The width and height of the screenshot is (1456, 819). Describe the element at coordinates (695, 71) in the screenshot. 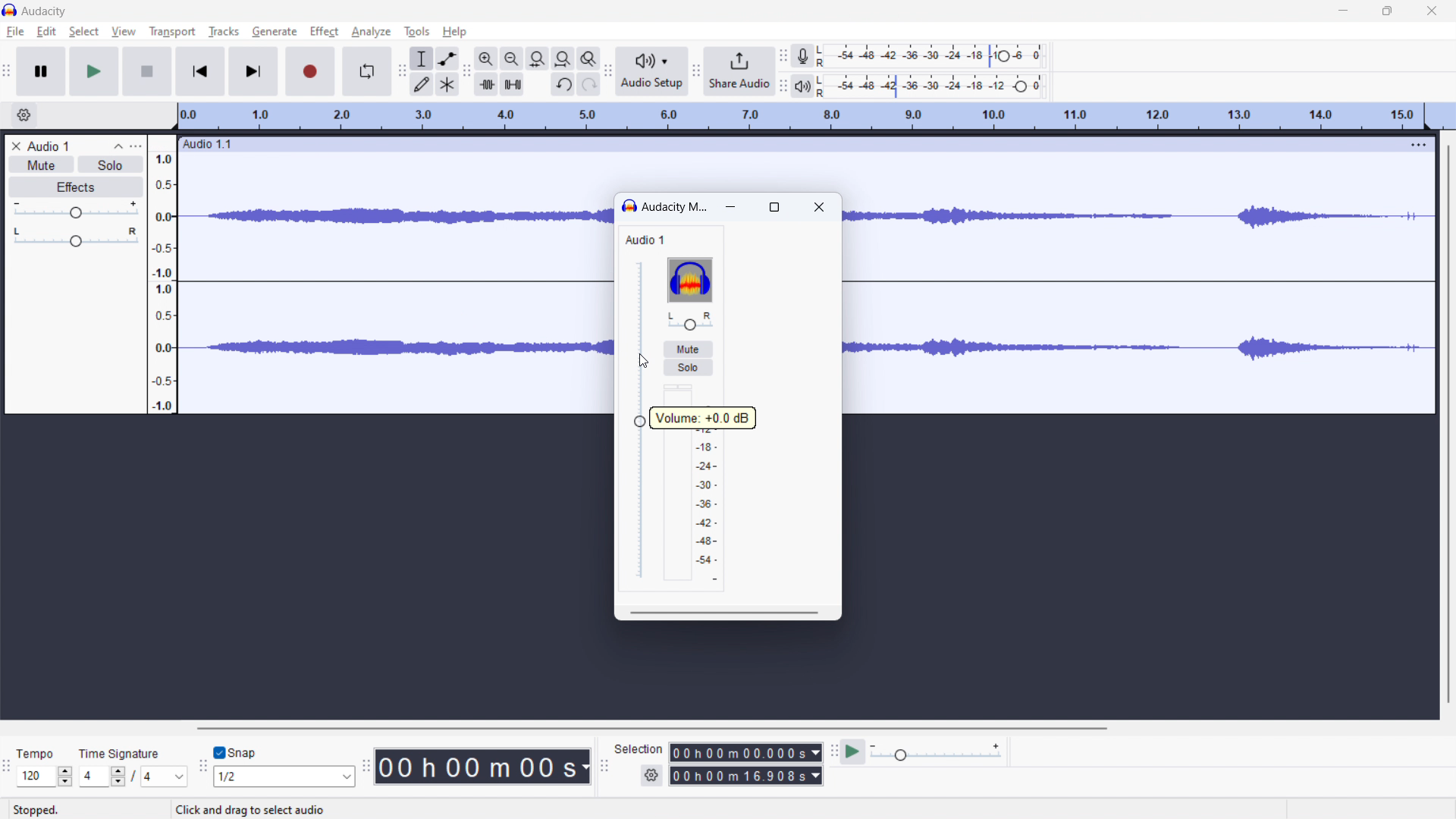

I see `share audio toolbar` at that location.